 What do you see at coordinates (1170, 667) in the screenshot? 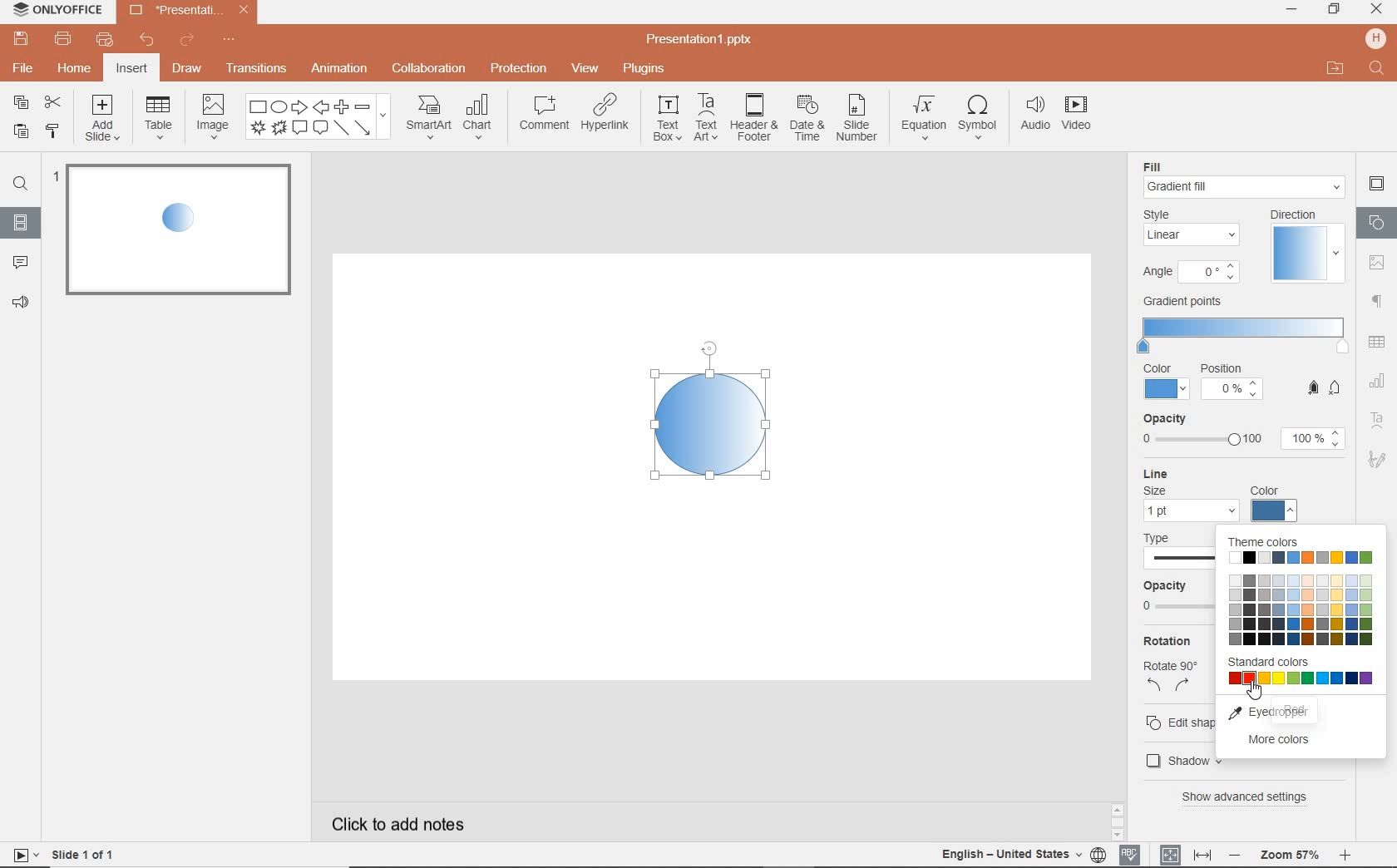
I see `Rotate 90` at bounding box center [1170, 667].